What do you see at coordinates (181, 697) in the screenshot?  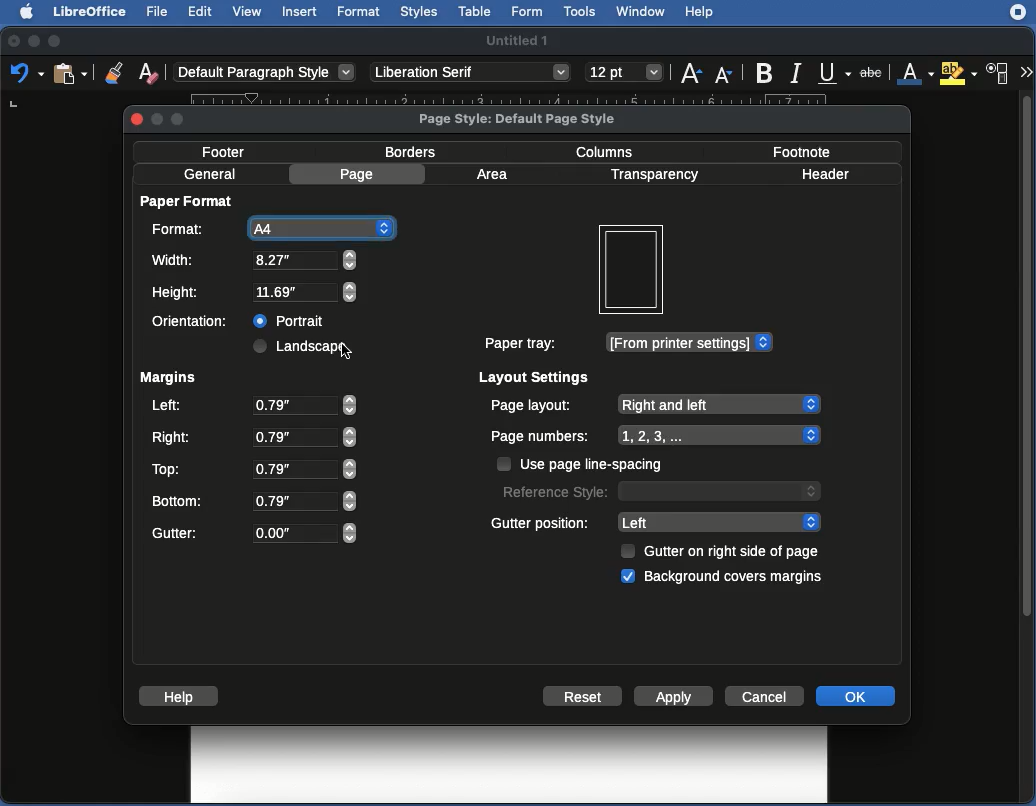 I see `Help` at bounding box center [181, 697].